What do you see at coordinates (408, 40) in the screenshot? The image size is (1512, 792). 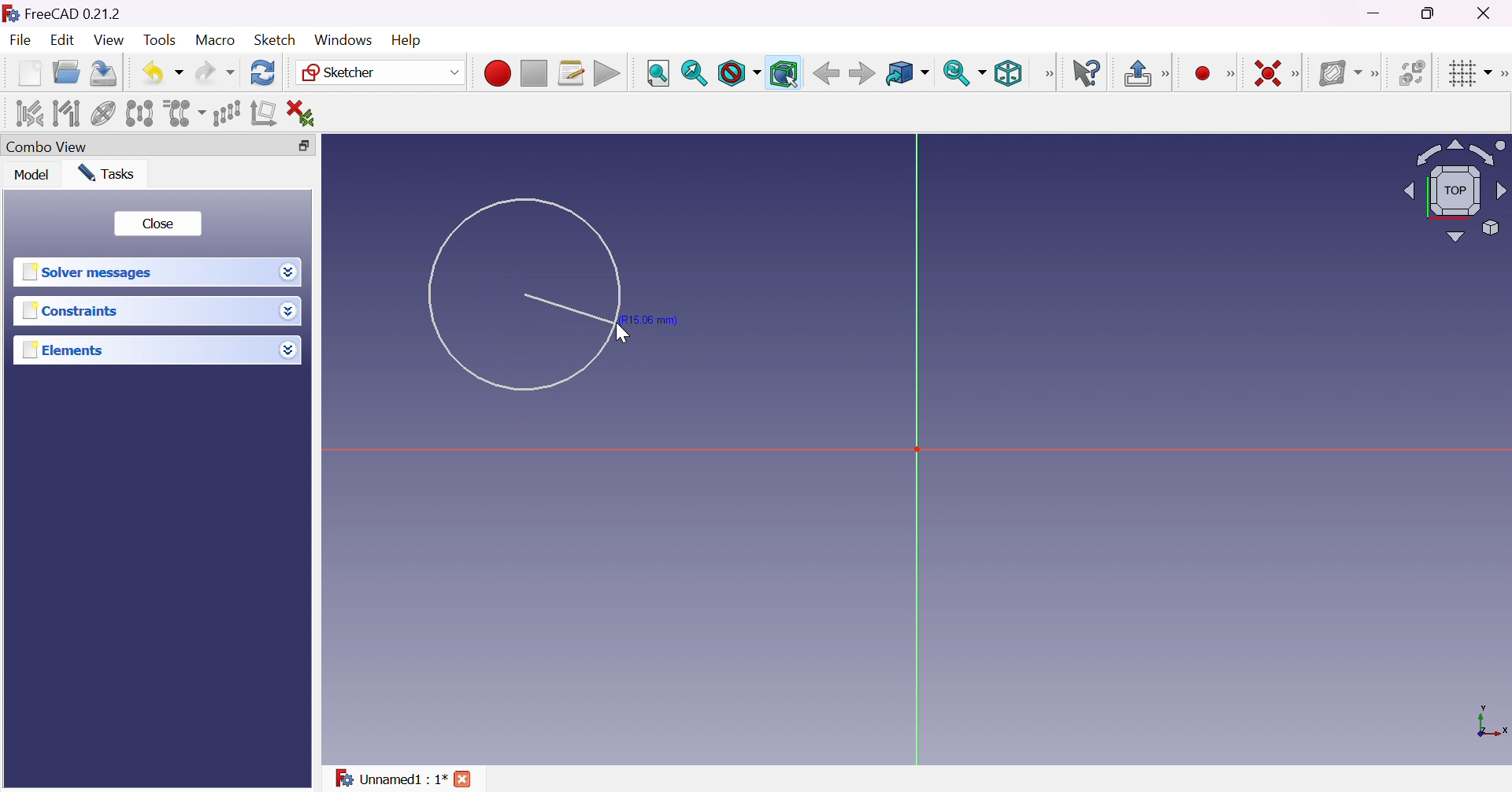 I see `Help` at bounding box center [408, 40].